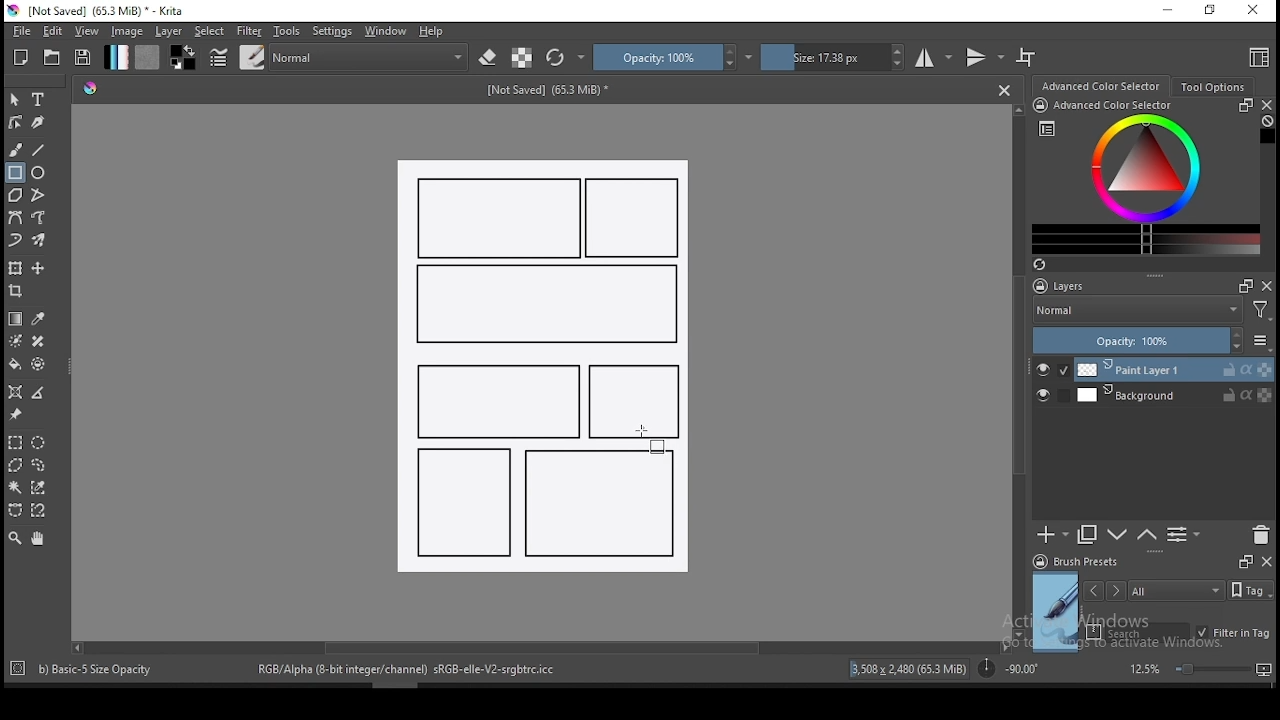 Image resolution: width=1280 pixels, height=720 pixels. I want to click on paint bucket tool, so click(15, 364).